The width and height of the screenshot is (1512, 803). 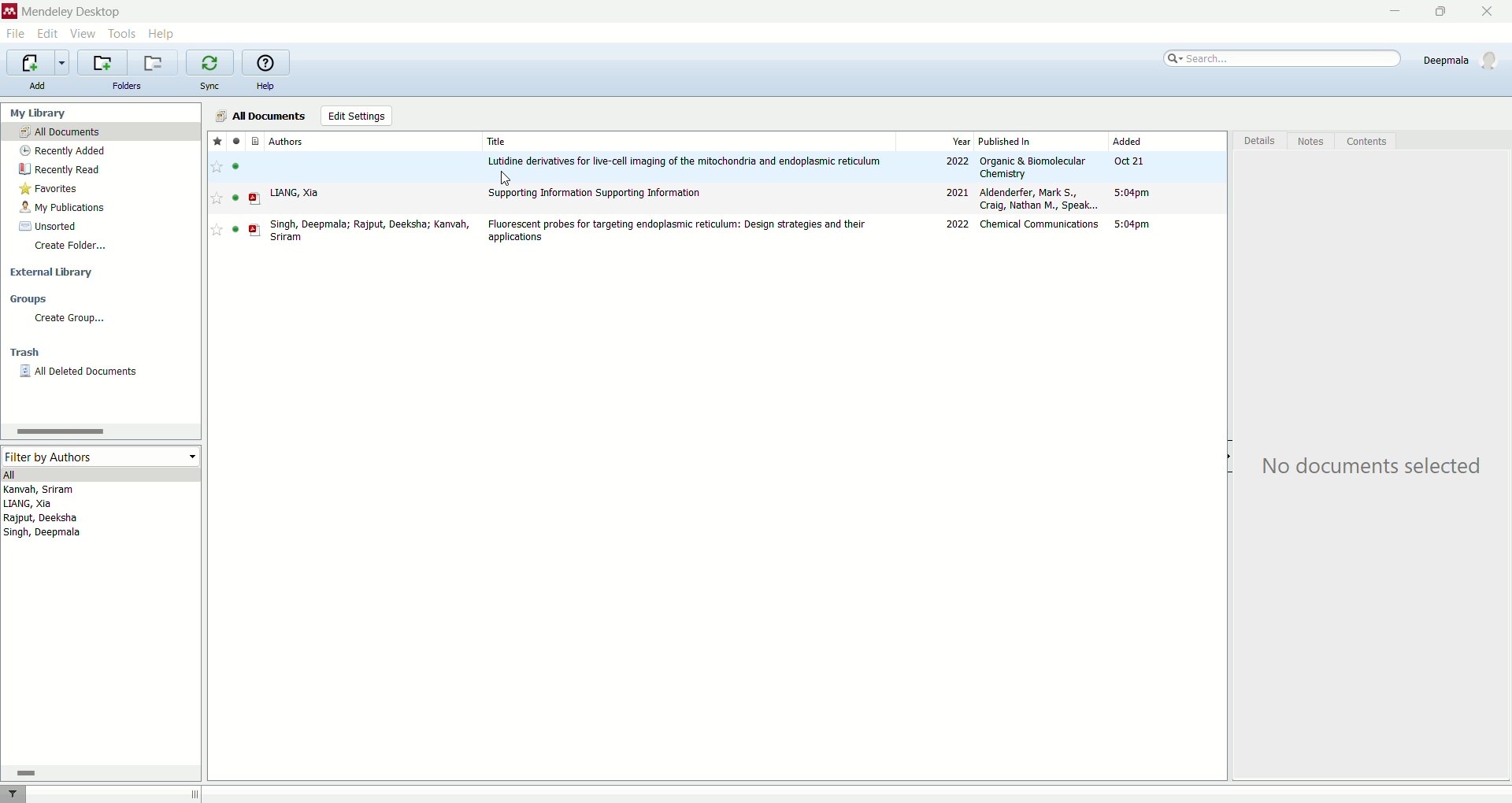 I want to click on logo, so click(x=9, y=12).